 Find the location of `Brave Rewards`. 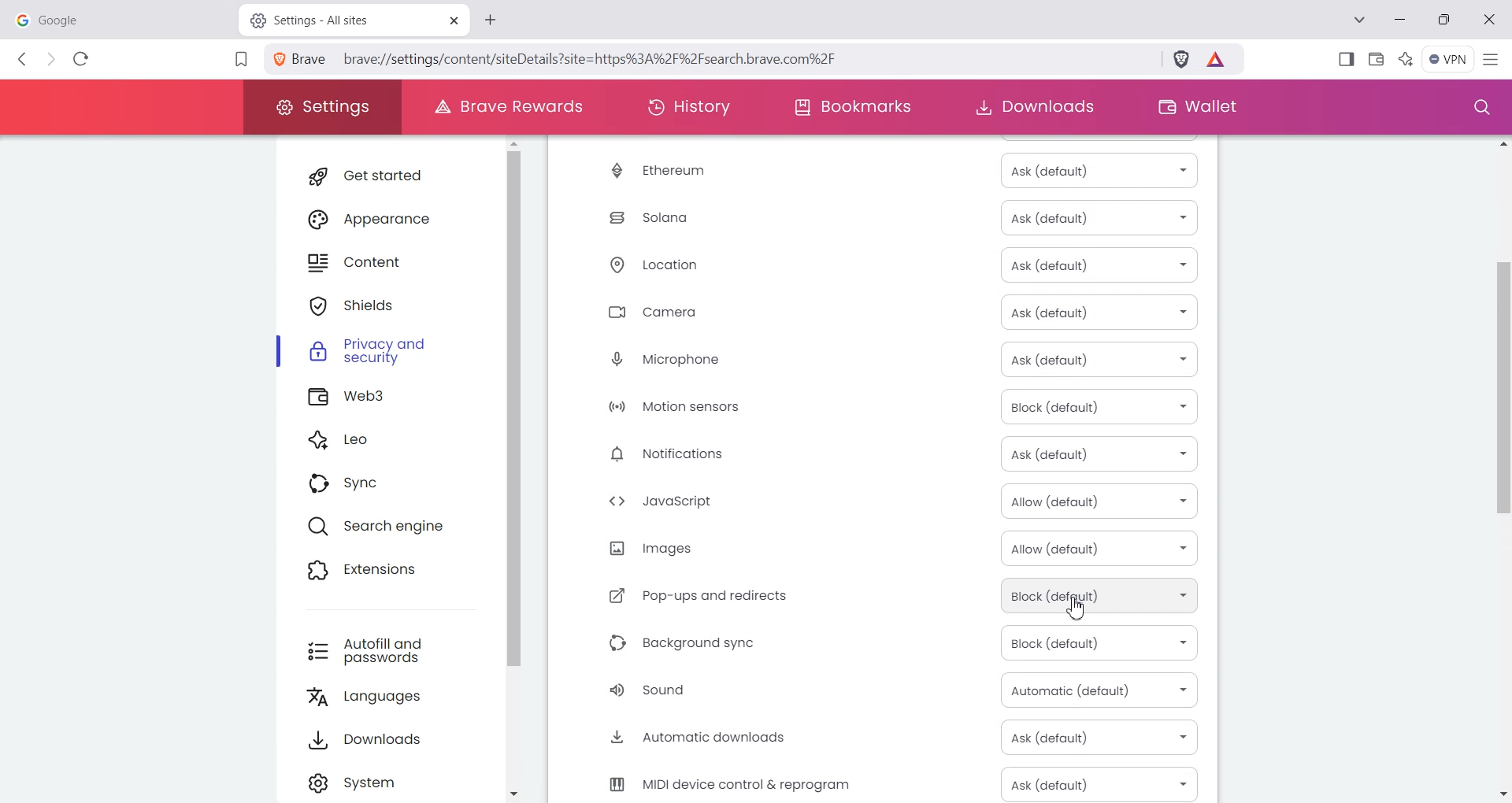

Brave Rewards is located at coordinates (504, 107).